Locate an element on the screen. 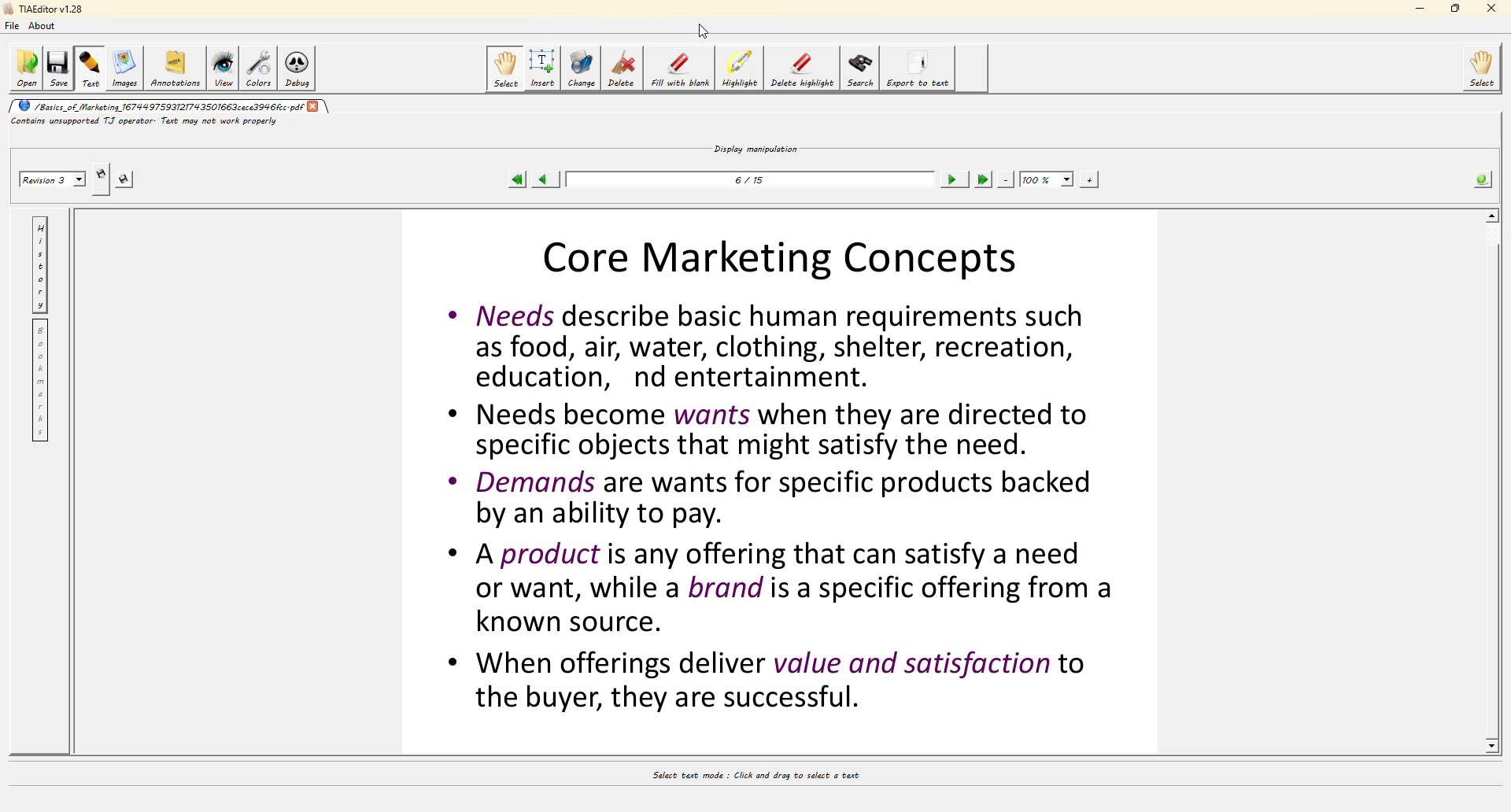  about is located at coordinates (46, 27).